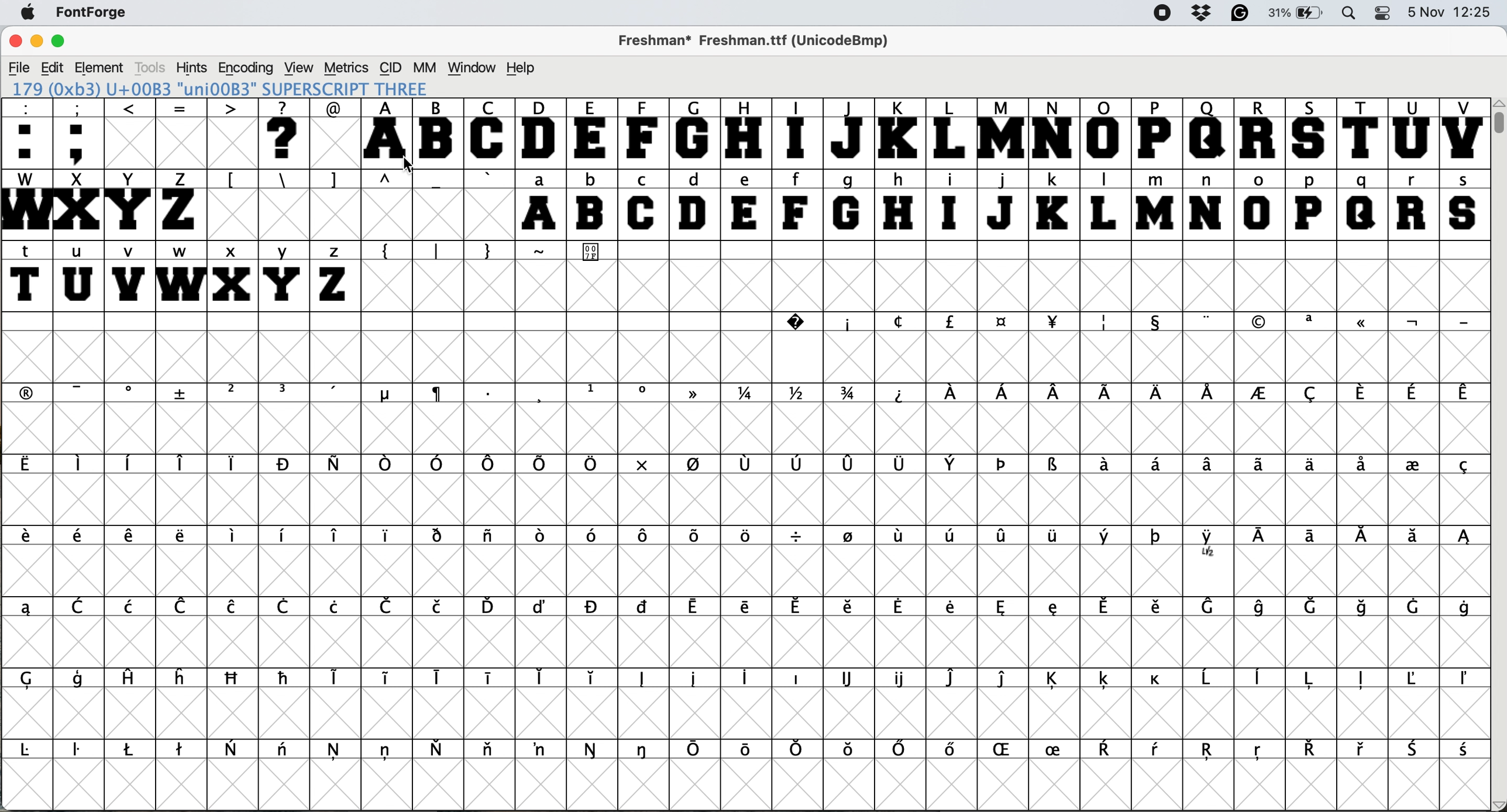 The height and width of the screenshot is (812, 1507). Describe the element at coordinates (1261, 322) in the screenshot. I see `symbol` at that location.